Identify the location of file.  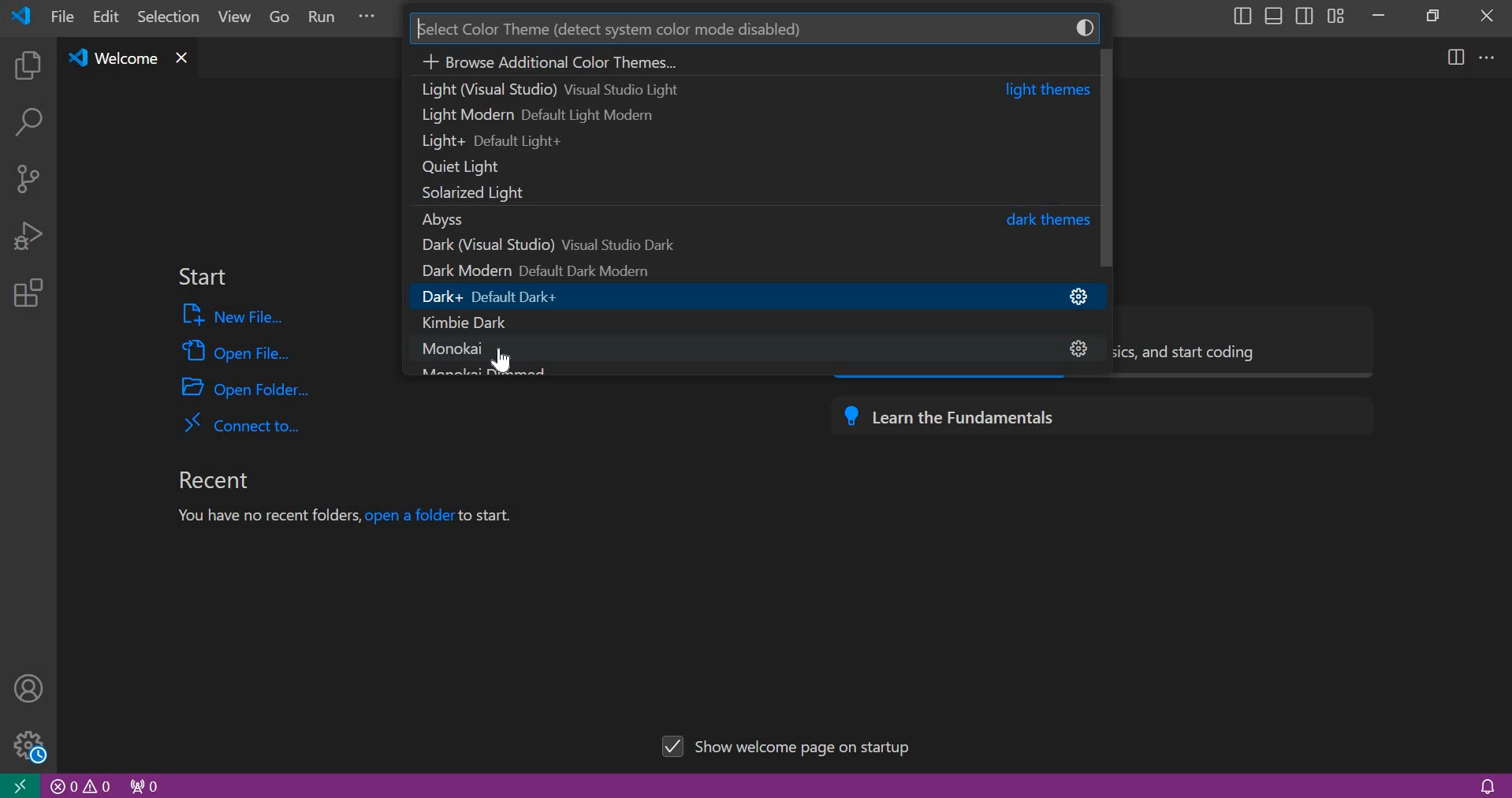
(62, 16).